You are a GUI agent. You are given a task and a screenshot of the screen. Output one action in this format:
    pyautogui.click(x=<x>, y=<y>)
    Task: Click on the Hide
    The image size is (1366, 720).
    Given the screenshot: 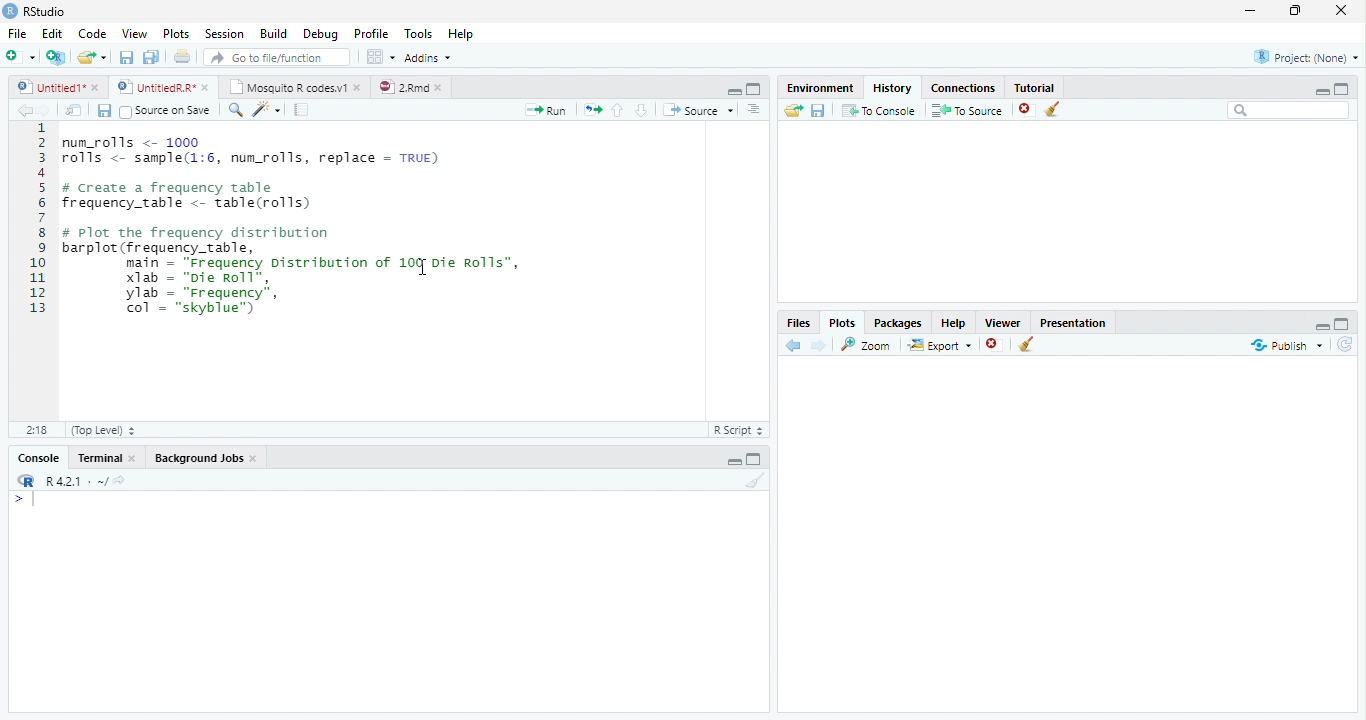 What is the action you would take?
    pyautogui.click(x=731, y=461)
    